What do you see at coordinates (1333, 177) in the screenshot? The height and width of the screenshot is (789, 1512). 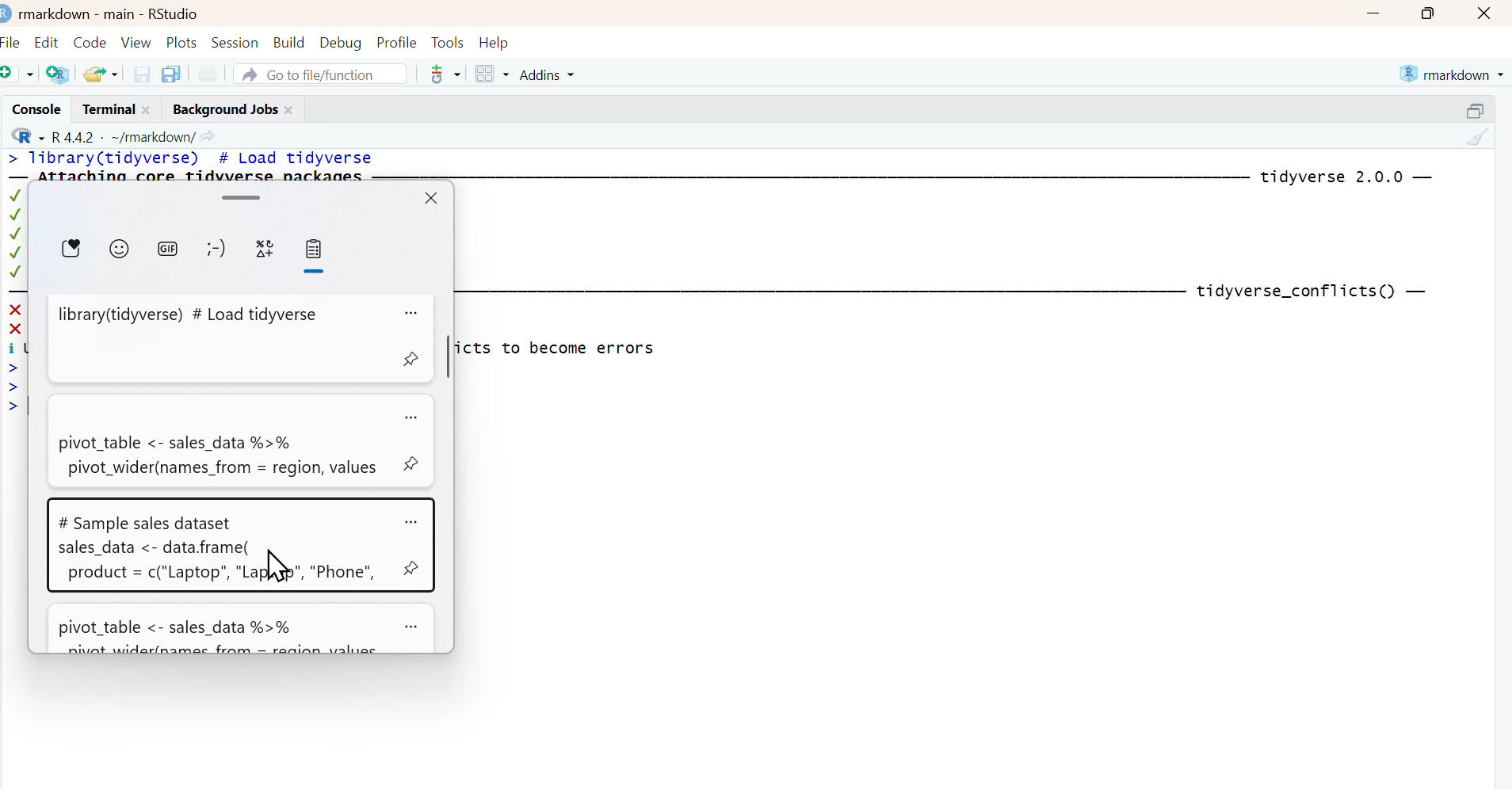 I see `tidyverse 2.0.0` at bounding box center [1333, 177].